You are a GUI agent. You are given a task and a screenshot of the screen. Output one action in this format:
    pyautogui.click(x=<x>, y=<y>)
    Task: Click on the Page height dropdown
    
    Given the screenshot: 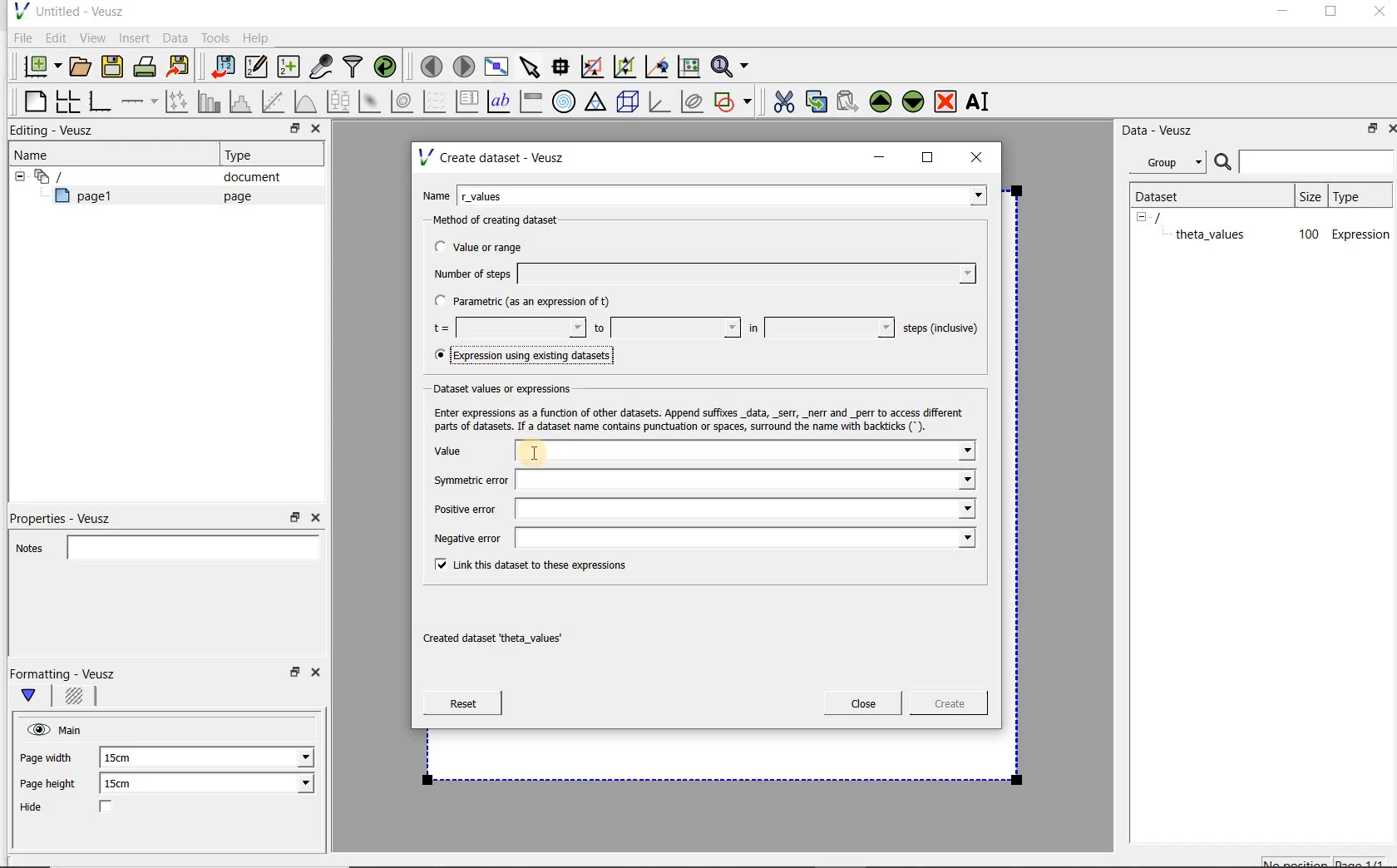 What is the action you would take?
    pyautogui.click(x=294, y=785)
    